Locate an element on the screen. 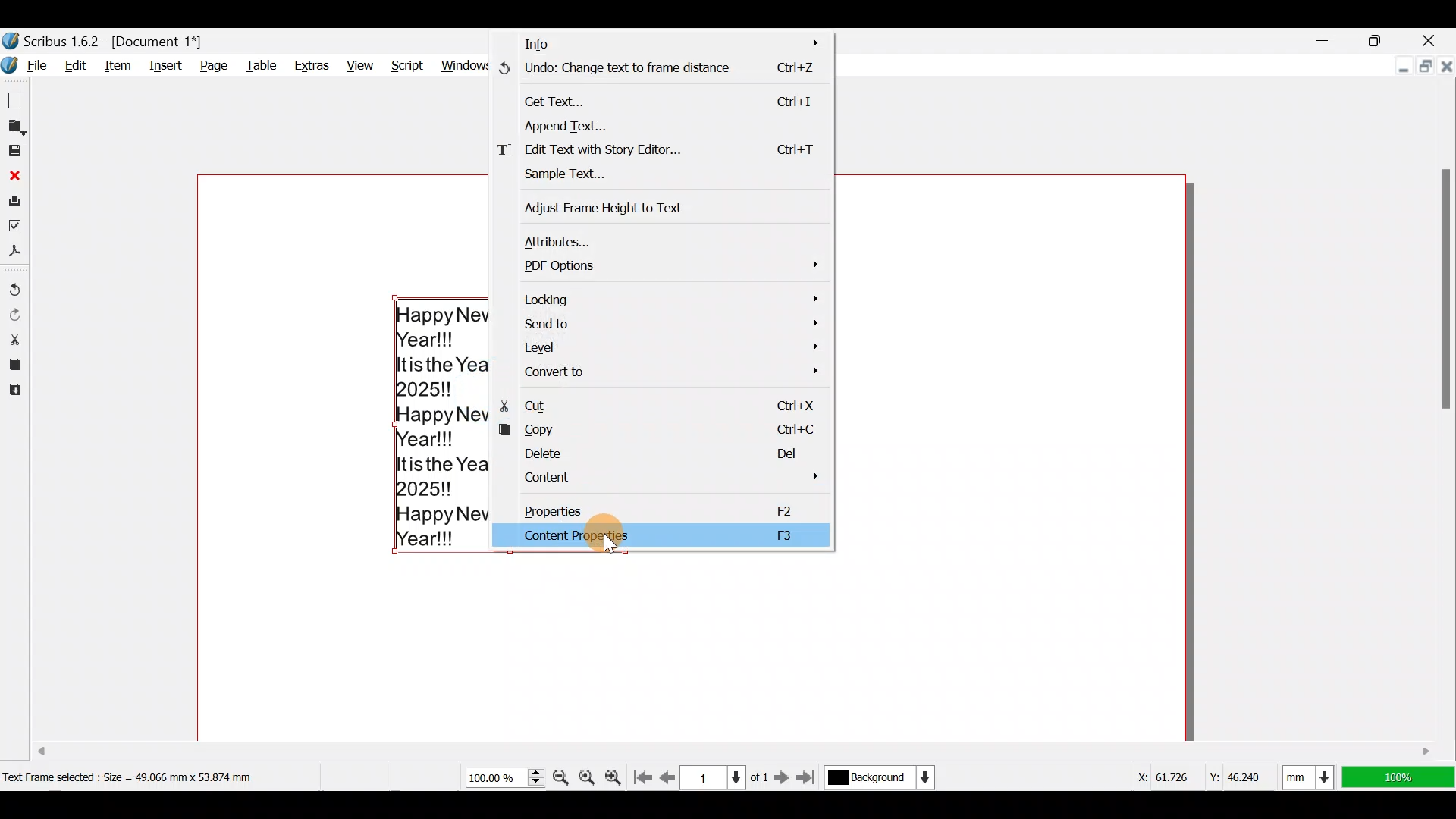 Image resolution: width=1456 pixels, height=819 pixels. Go to first page is located at coordinates (646, 774).